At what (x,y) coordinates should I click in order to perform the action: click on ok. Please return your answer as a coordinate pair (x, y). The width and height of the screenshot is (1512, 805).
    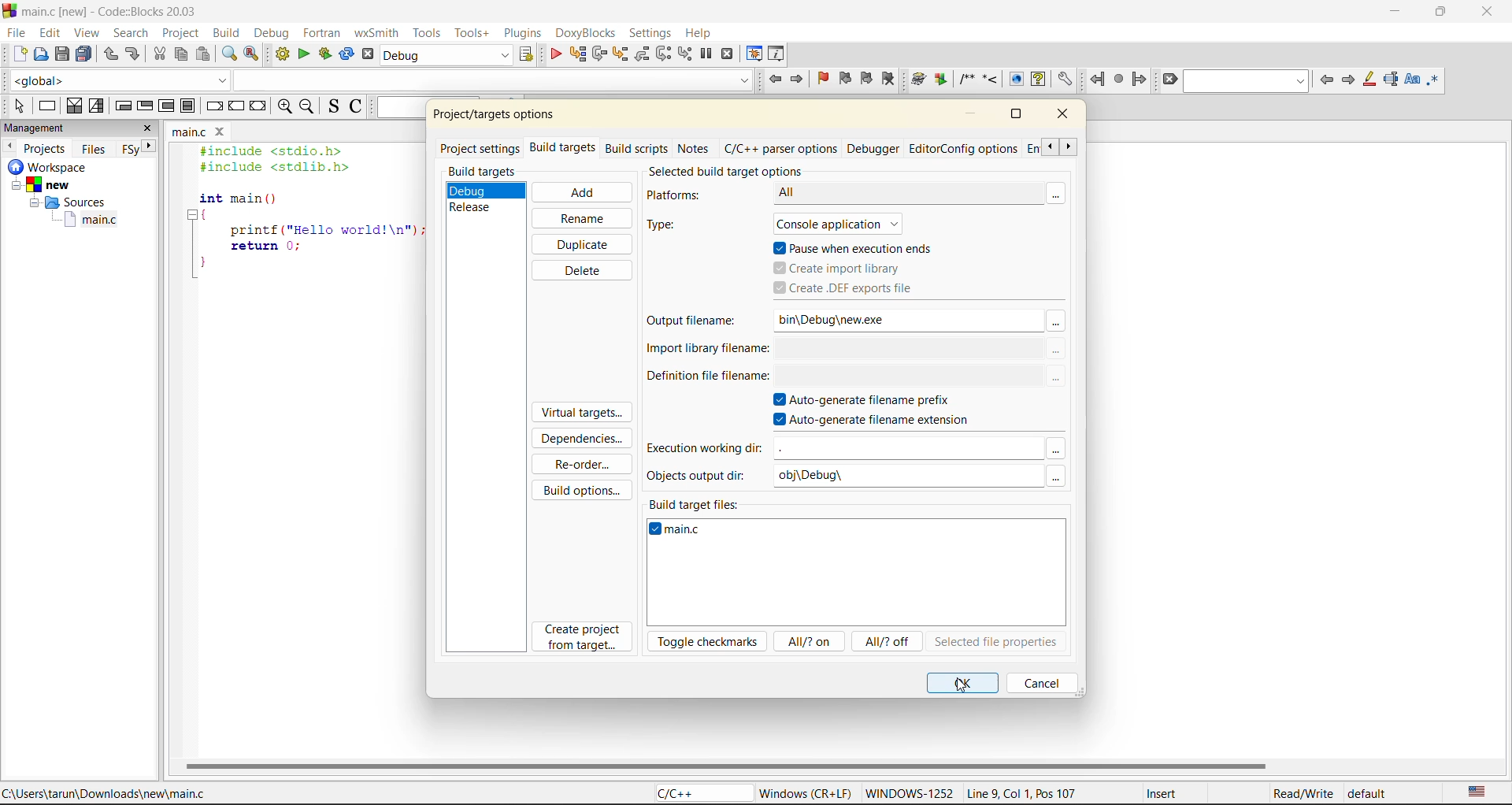
    Looking at the image, I should click on (962, 682).